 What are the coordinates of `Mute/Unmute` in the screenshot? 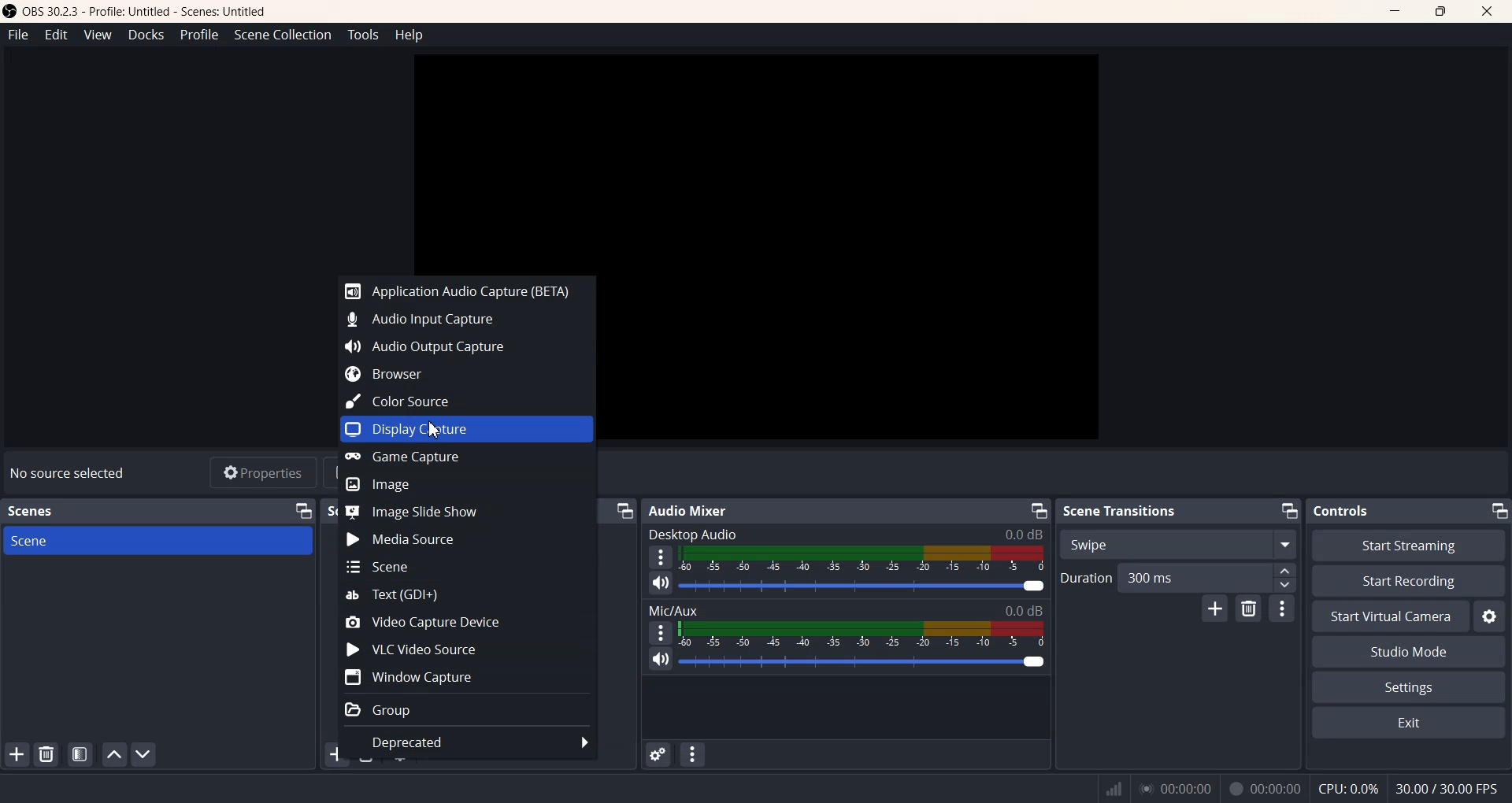 It's located at (660, 660).